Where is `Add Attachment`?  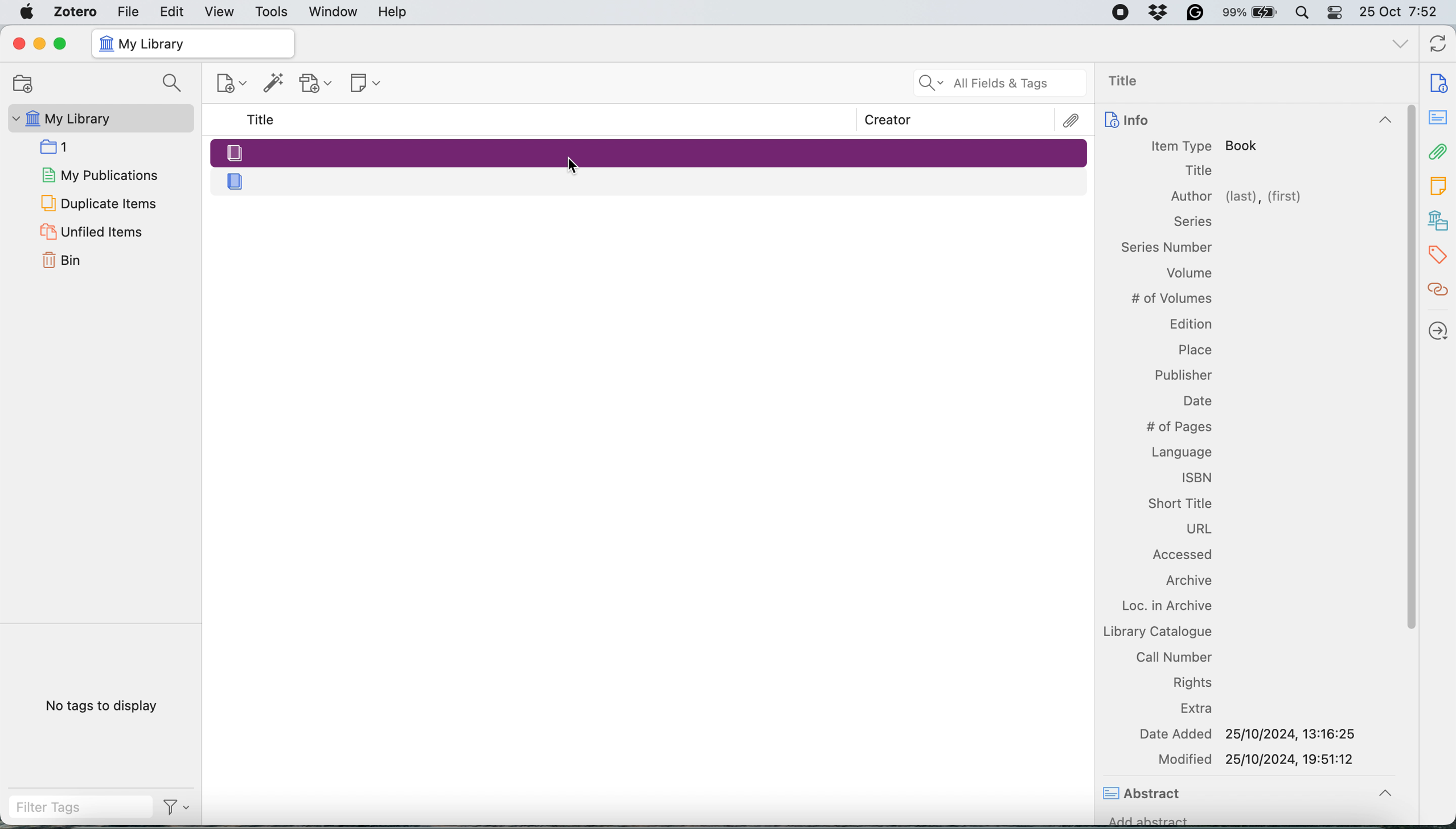
Add Attachment is located at coordinates (316, 84).